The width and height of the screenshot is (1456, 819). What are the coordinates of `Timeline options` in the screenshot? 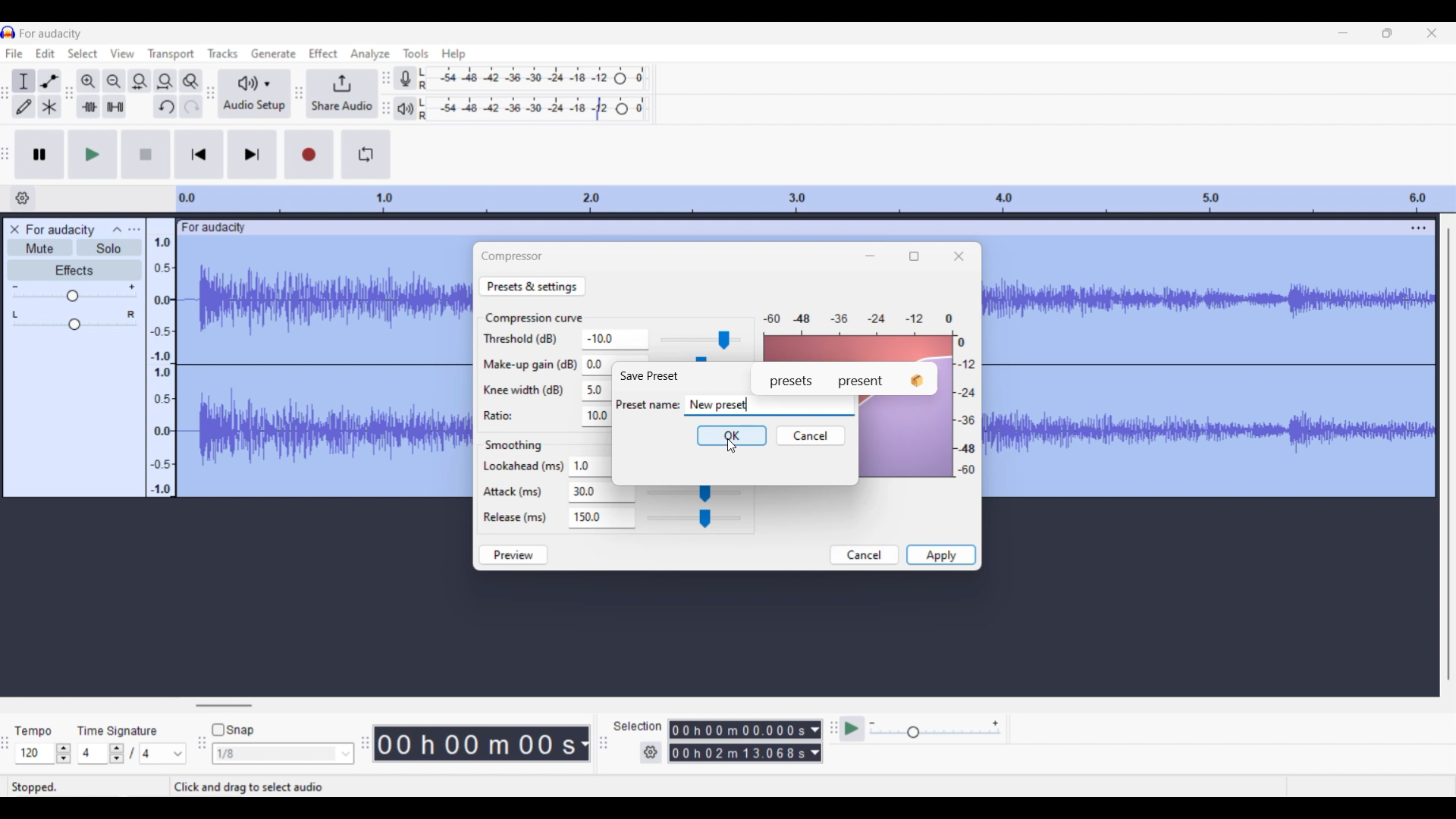 It's located at (22, 198).